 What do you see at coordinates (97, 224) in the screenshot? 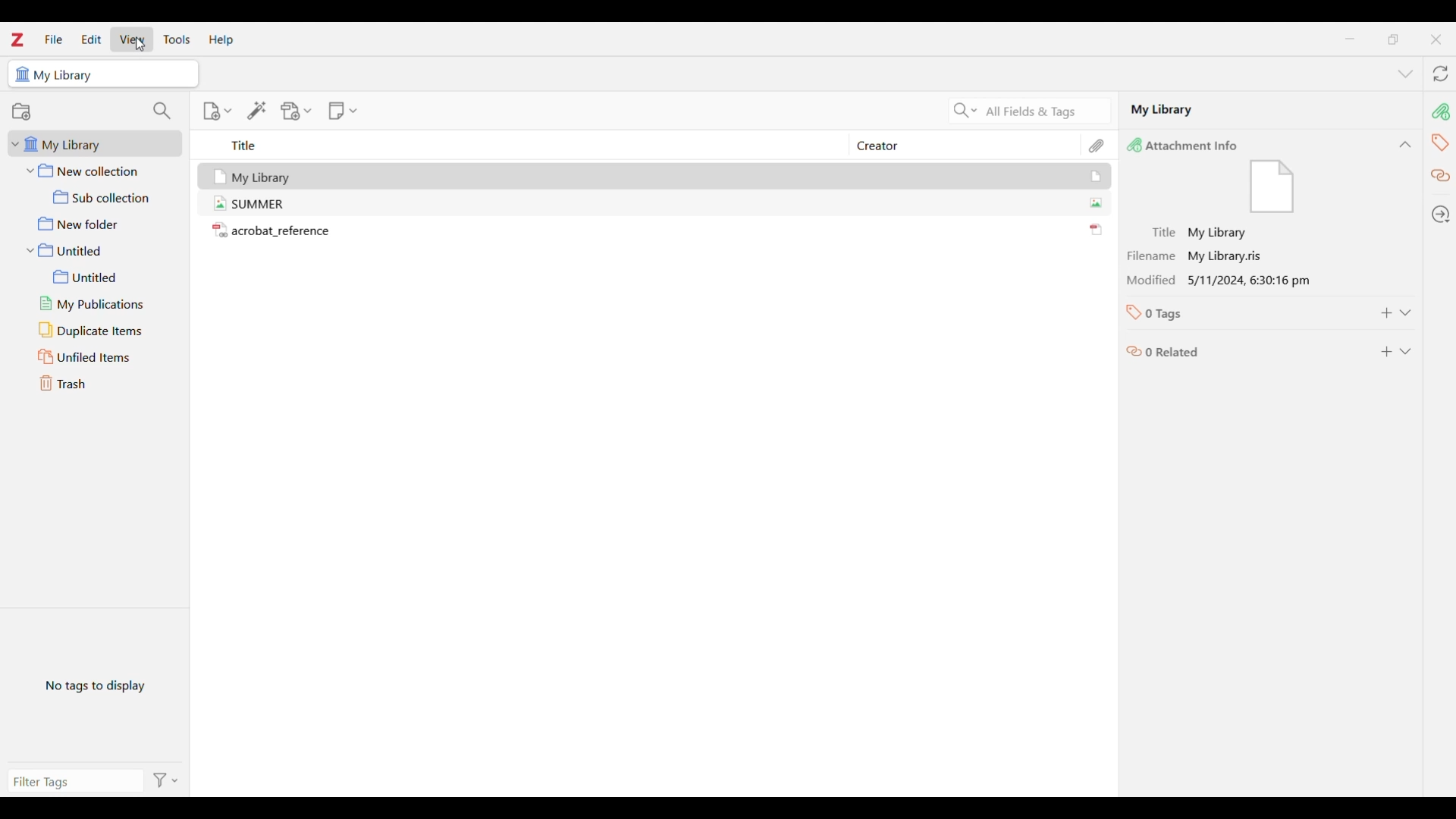
I see `New folder` at bounding box center [97, 224].